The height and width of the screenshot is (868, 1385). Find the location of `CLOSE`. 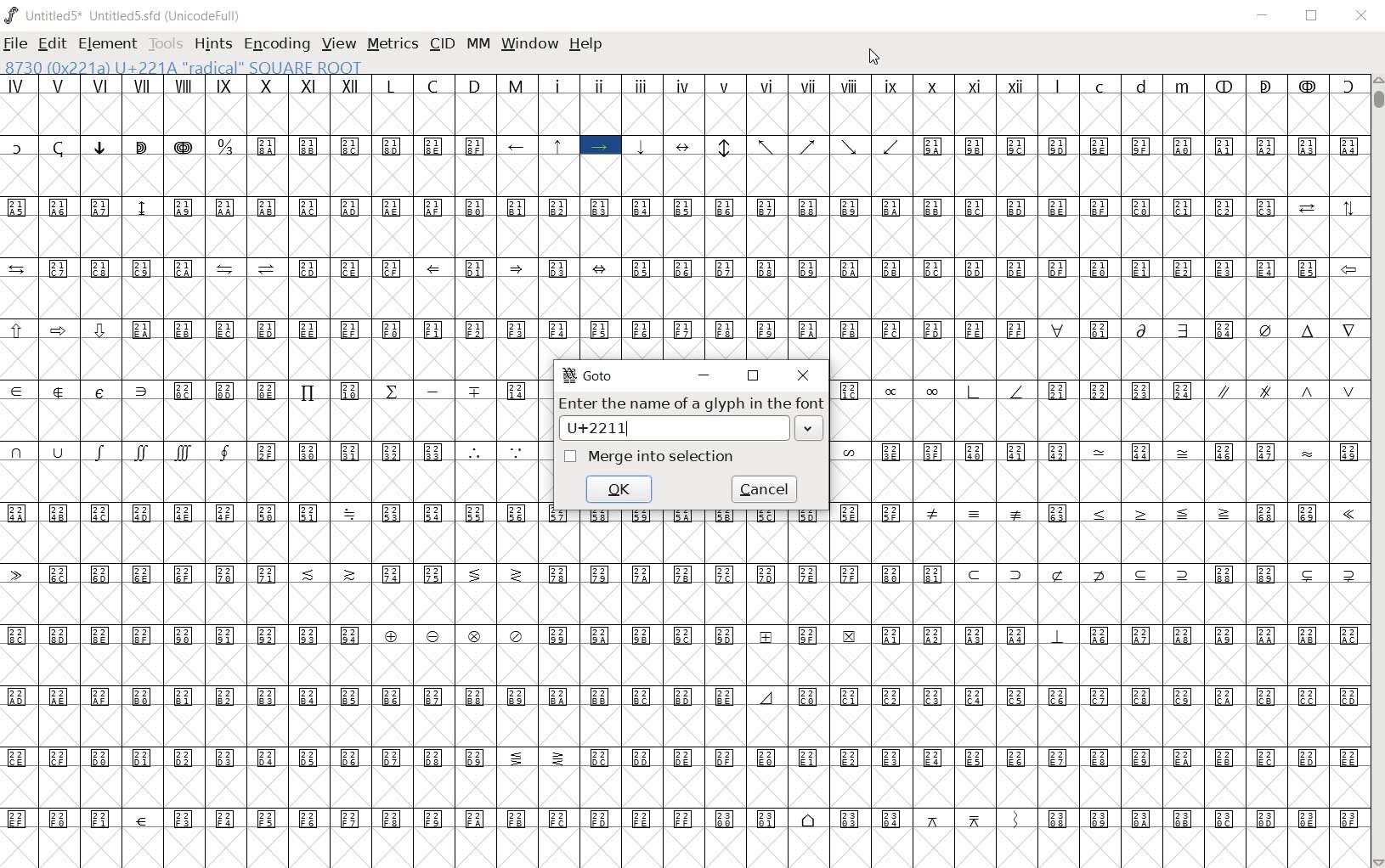

CLOSE is located at coordinates (1362, 16).